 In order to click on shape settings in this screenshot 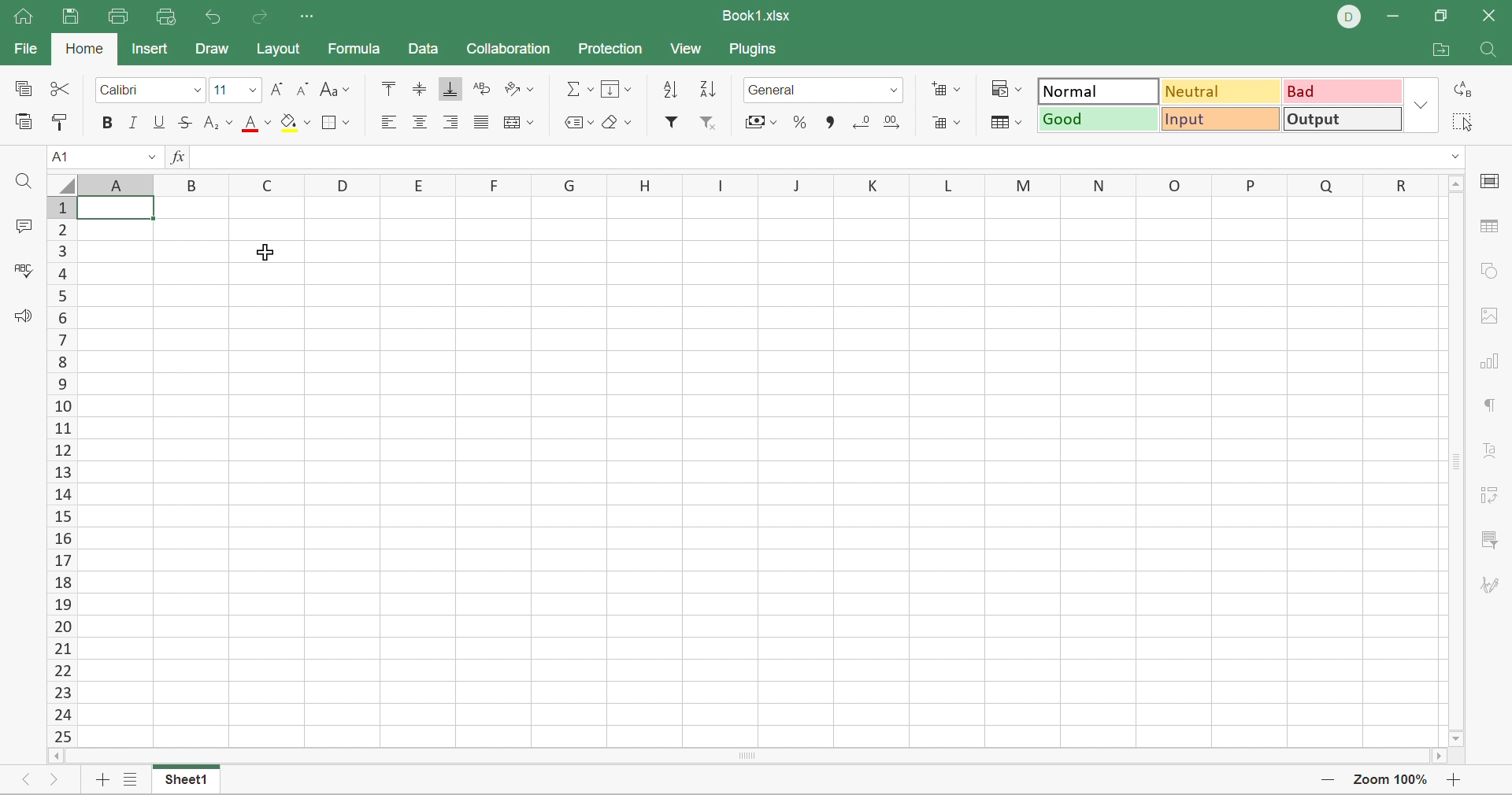, I will do `click(1492, 272)`.